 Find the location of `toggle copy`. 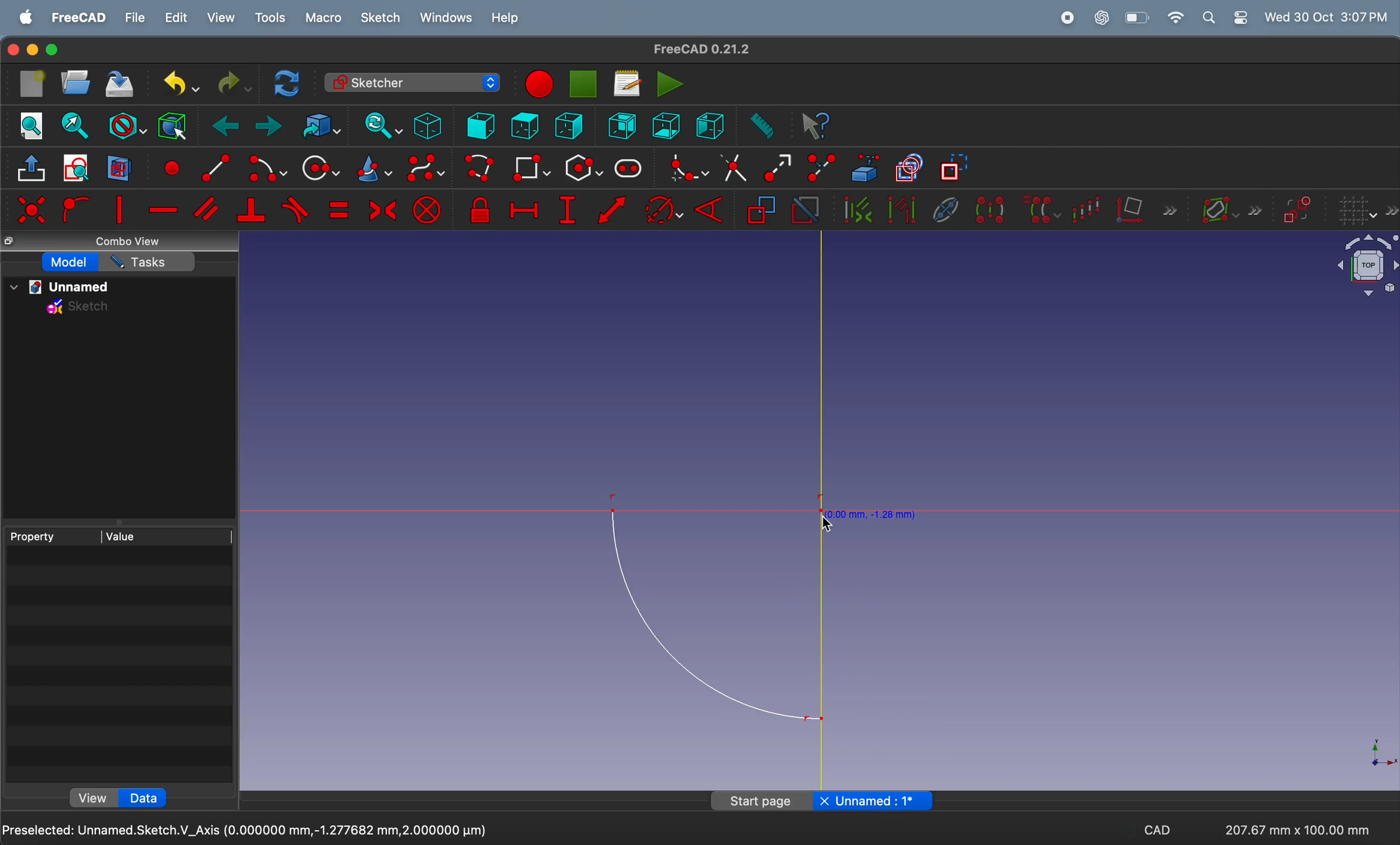

toggle copy is located at coordinates (910, 169).